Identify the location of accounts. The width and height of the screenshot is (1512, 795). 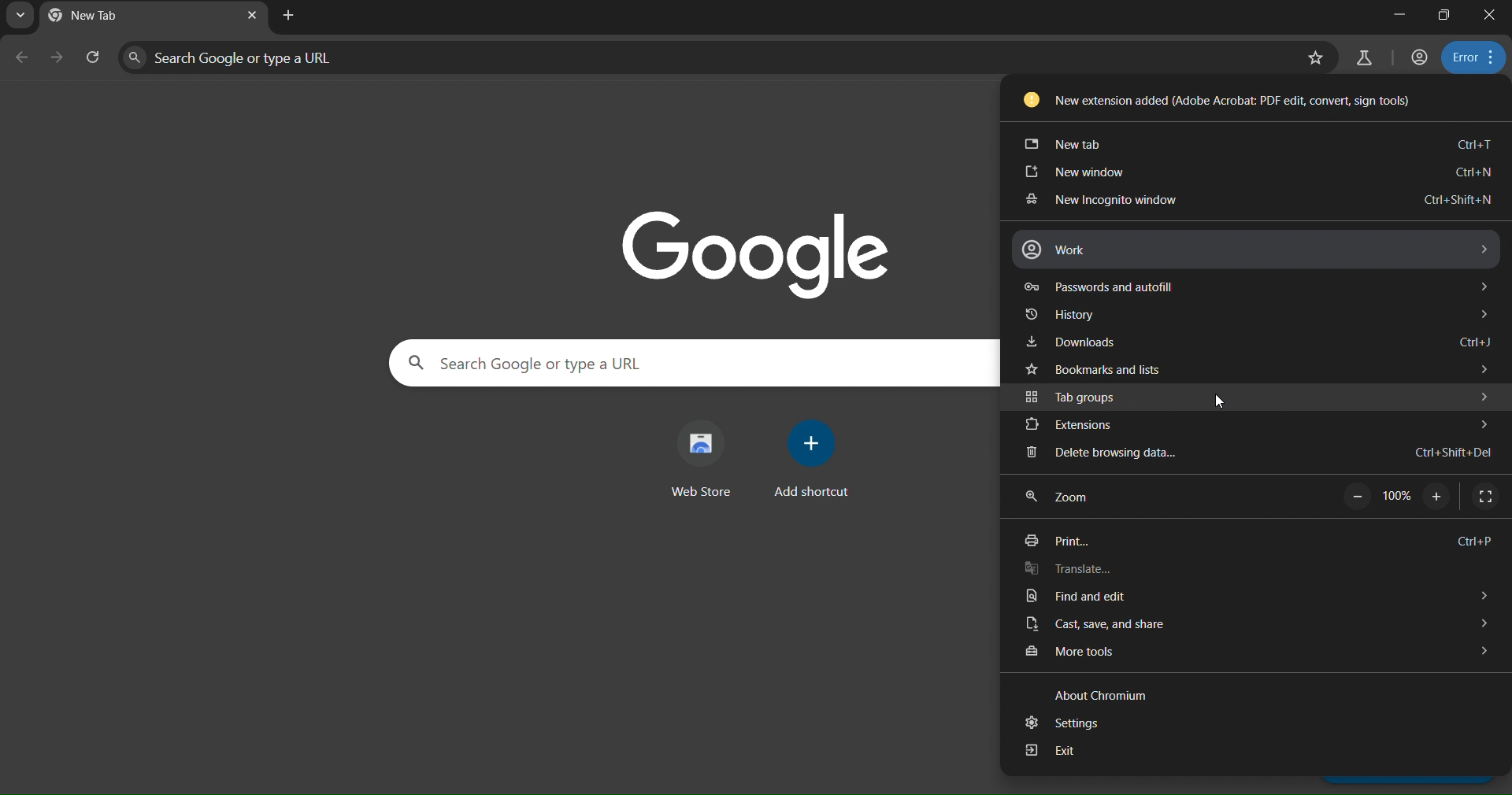
(1421, 57).